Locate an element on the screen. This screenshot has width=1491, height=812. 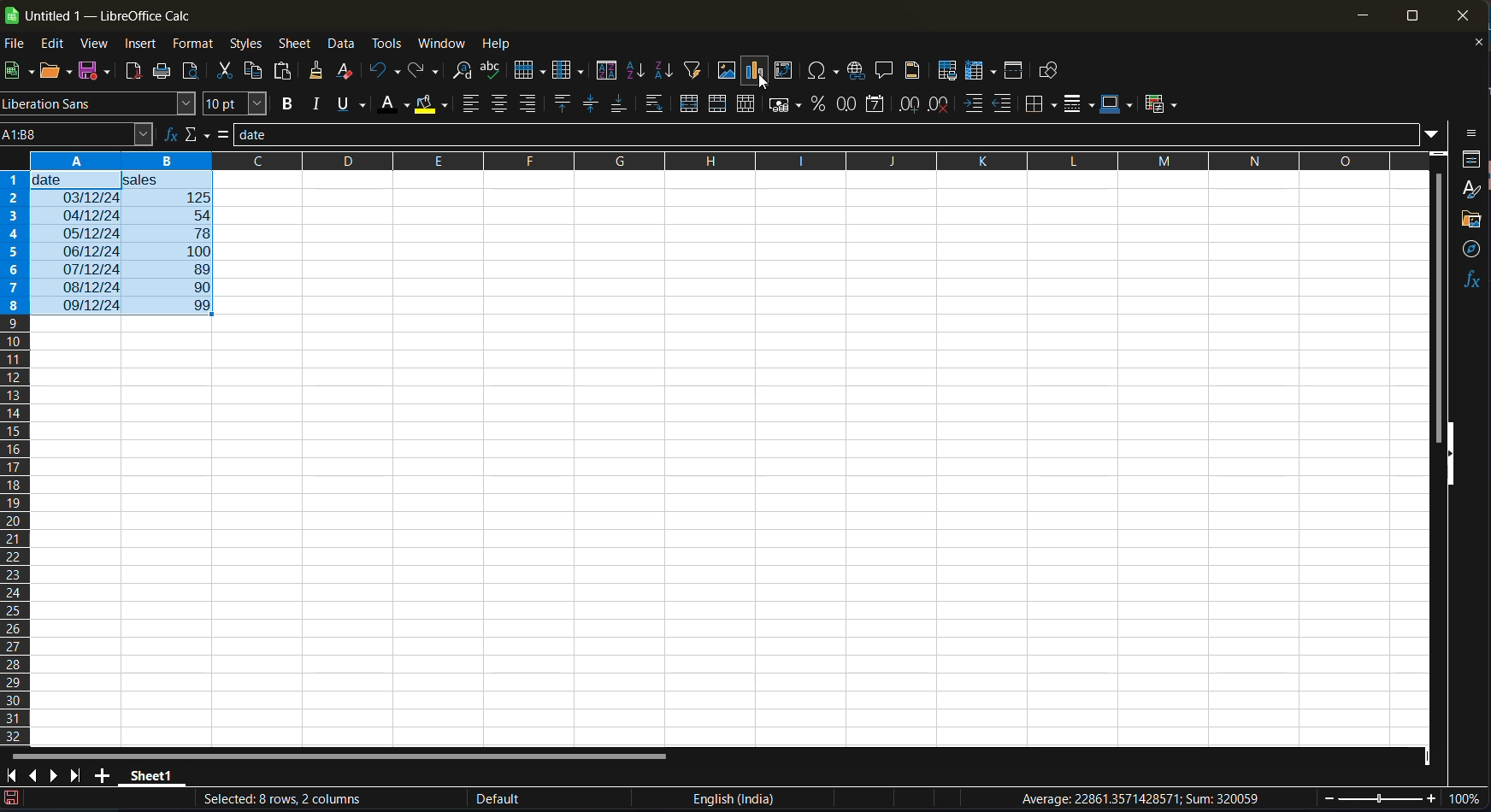
wrap text is located at coordinates (657, 103).